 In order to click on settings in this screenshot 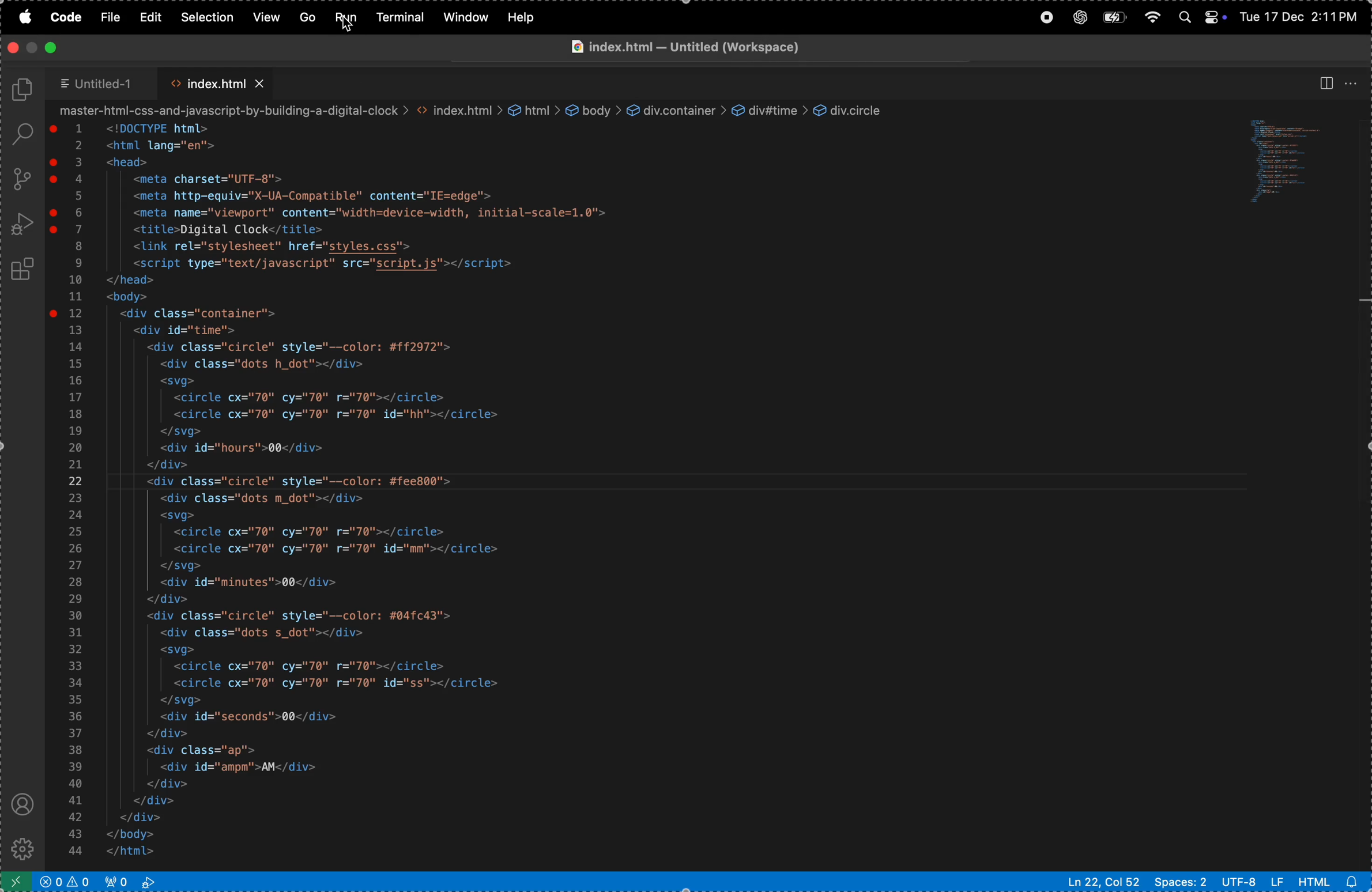, I will do `click(20, 846)`.